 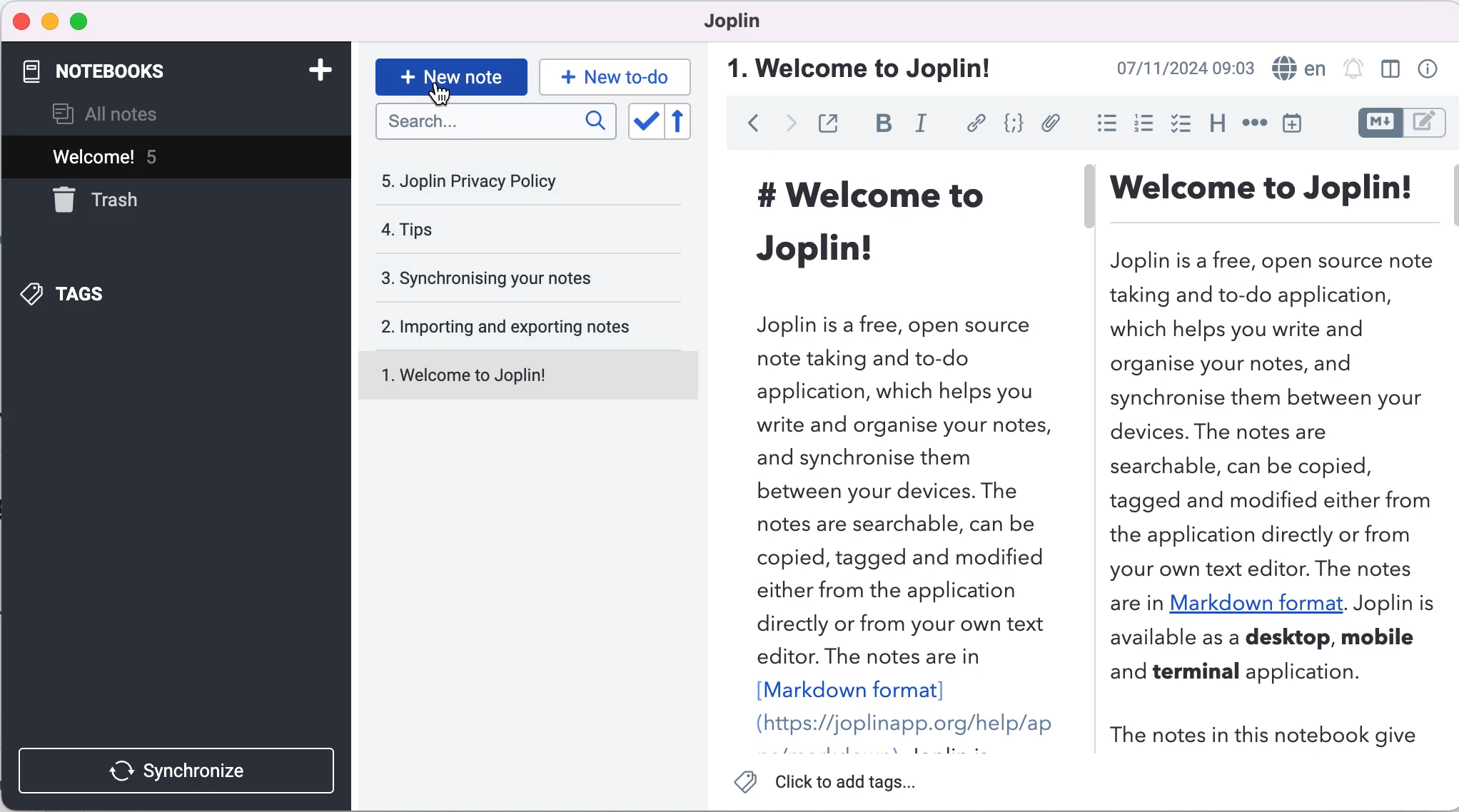 I want to click on forward, so click(x=792, y=123).